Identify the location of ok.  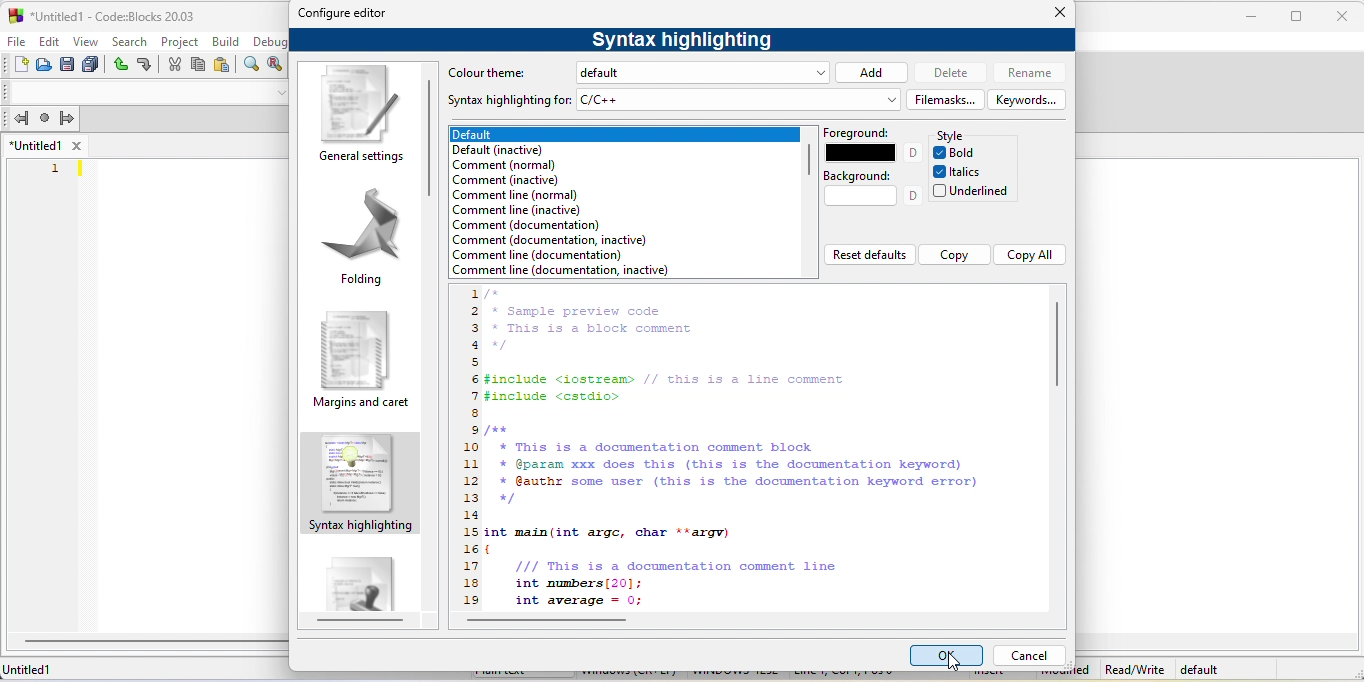
(947, 655).